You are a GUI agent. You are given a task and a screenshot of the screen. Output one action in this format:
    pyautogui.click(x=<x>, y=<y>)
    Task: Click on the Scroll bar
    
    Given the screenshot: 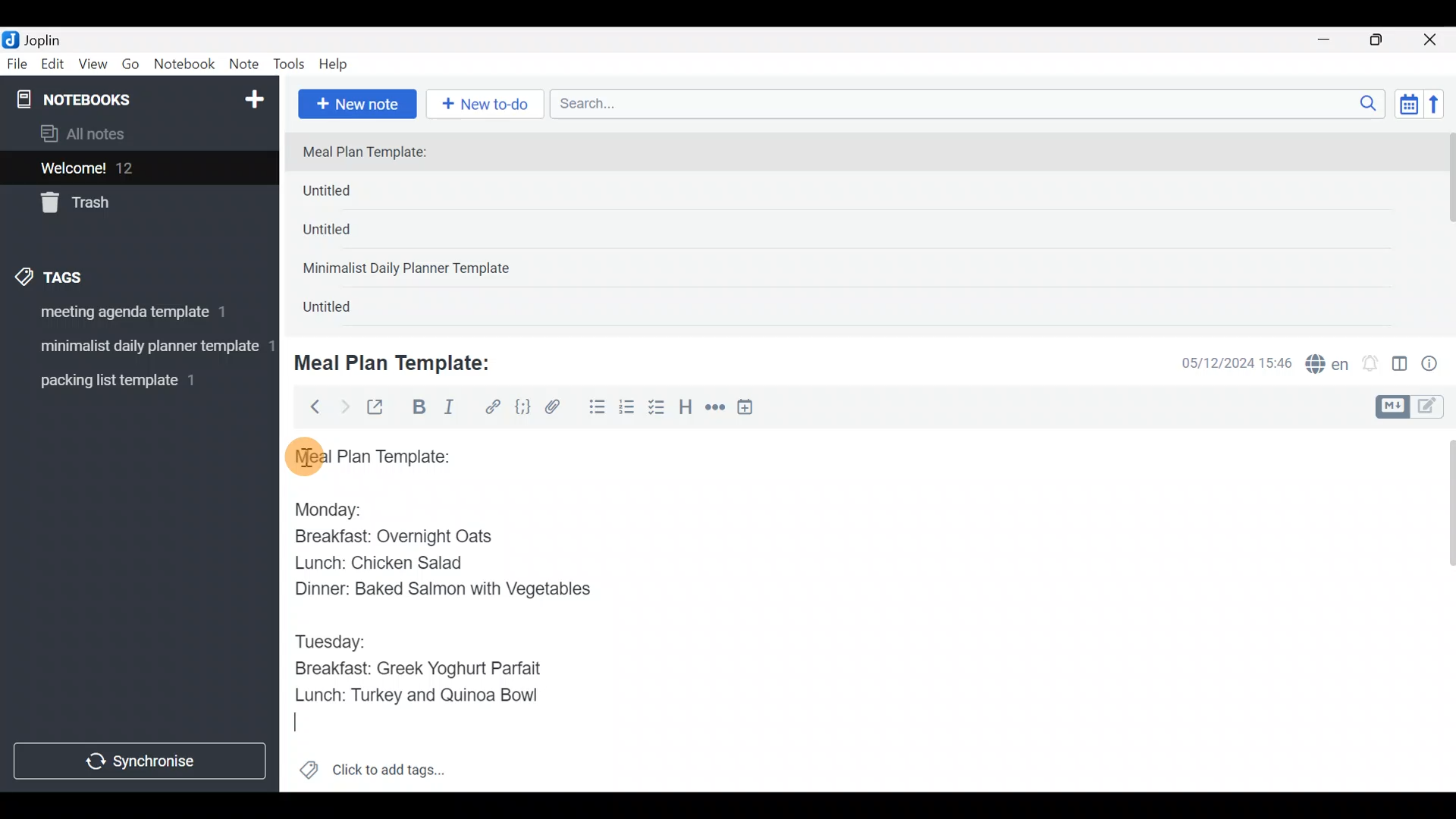 What is the action you would take?
    pyautogui.click(x=1440, y=610)
    